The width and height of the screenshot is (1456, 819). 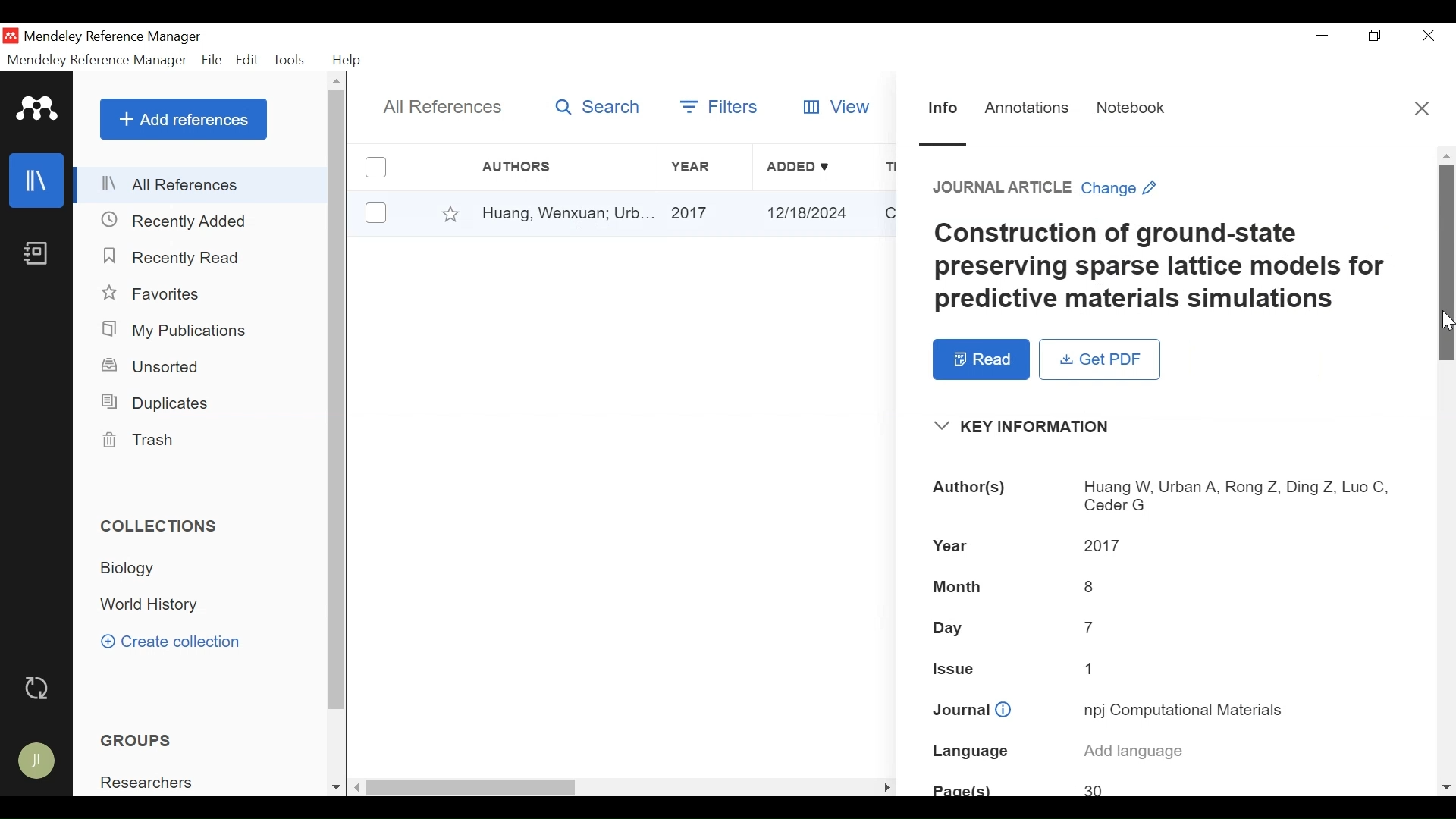 What do you see at coordinates (290, 60) in the screenshot?
I see `Tools` at bounding box center [290, 60].